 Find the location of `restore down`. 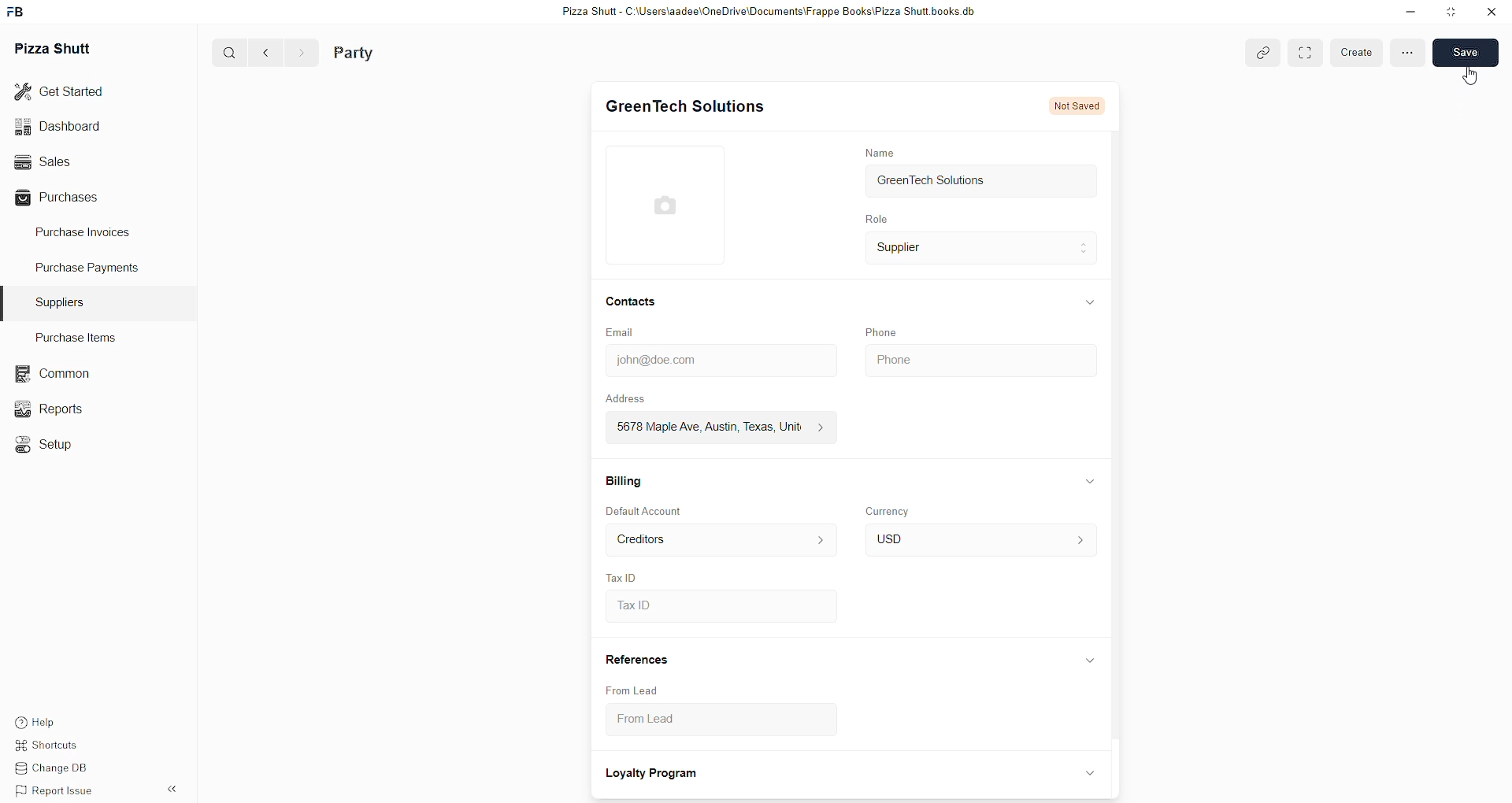

restore down is located at coordinates (1449, 13).